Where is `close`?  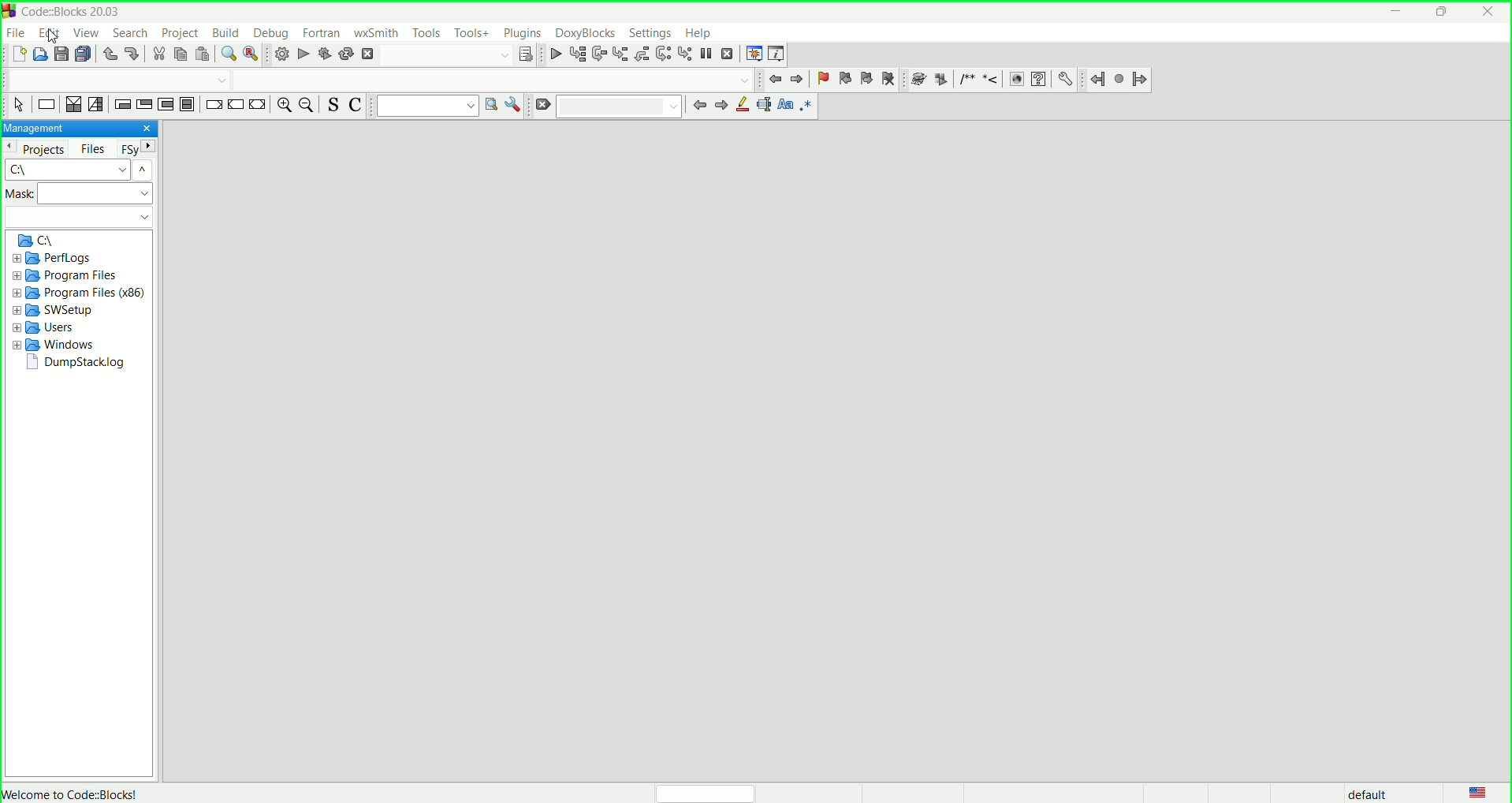
close is located at coordinates (144, 129).